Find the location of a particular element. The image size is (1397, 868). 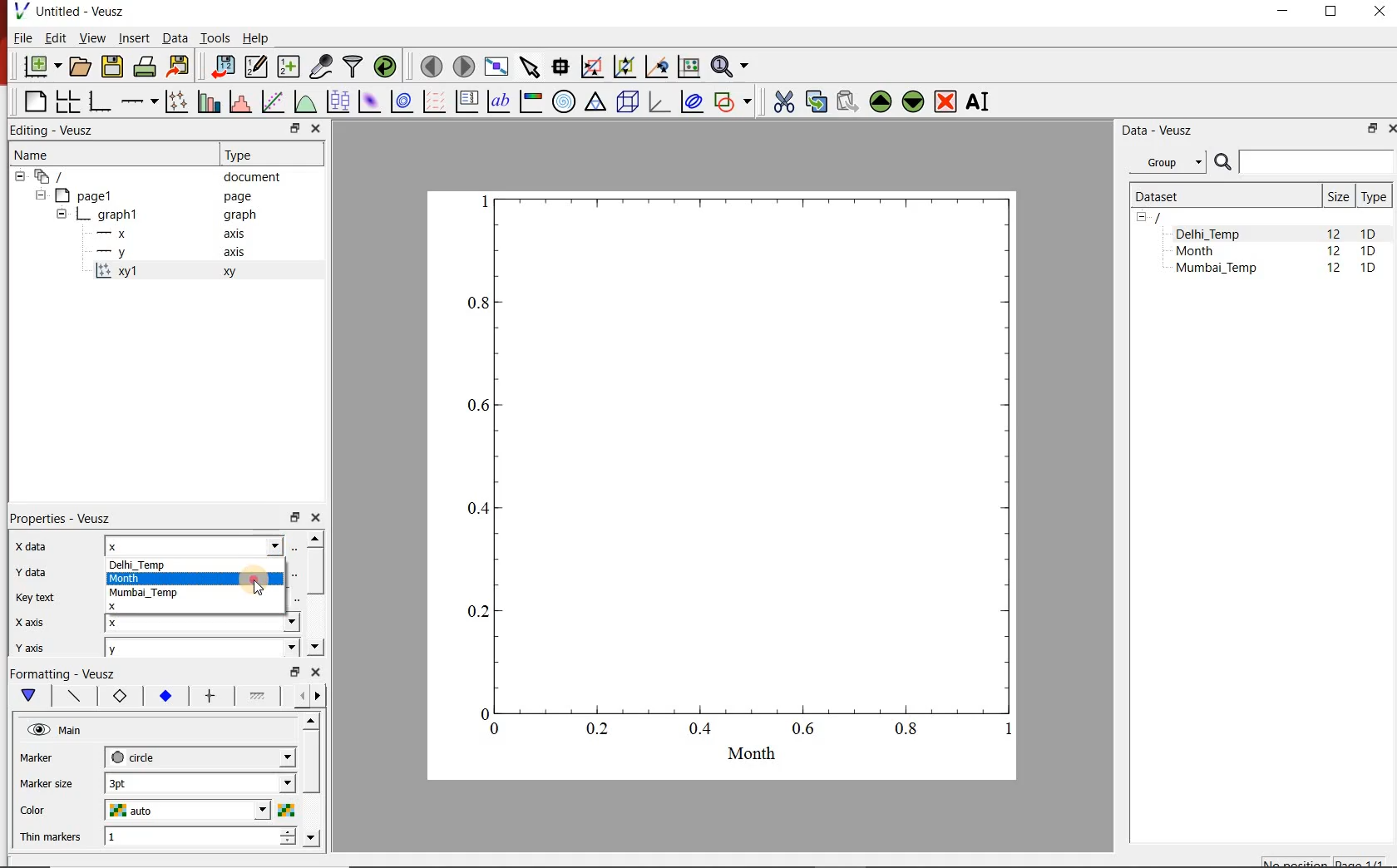

Help is located at coordinates (256, 37).